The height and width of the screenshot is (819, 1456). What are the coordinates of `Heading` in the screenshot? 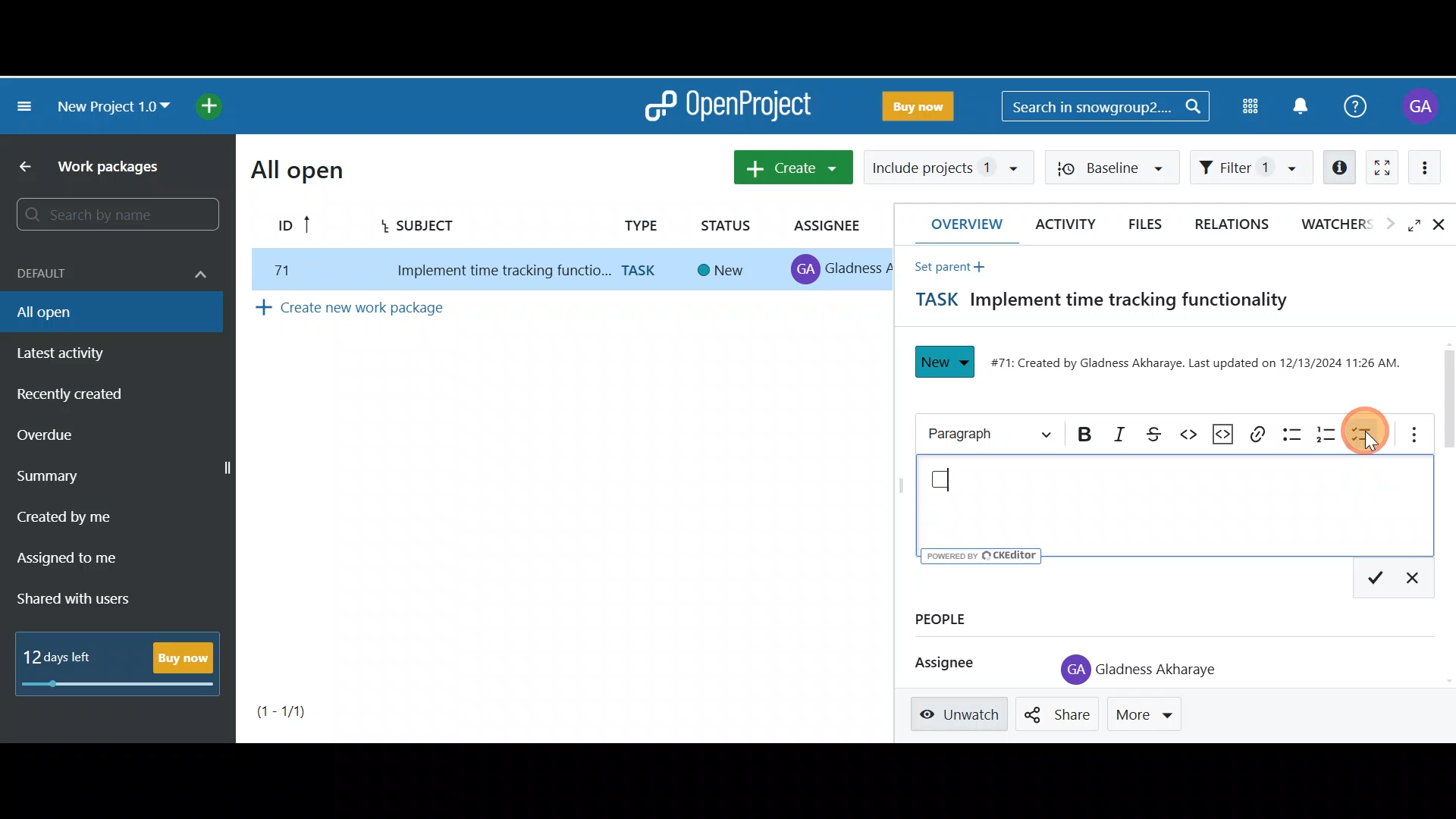 It's located at (988, 432).